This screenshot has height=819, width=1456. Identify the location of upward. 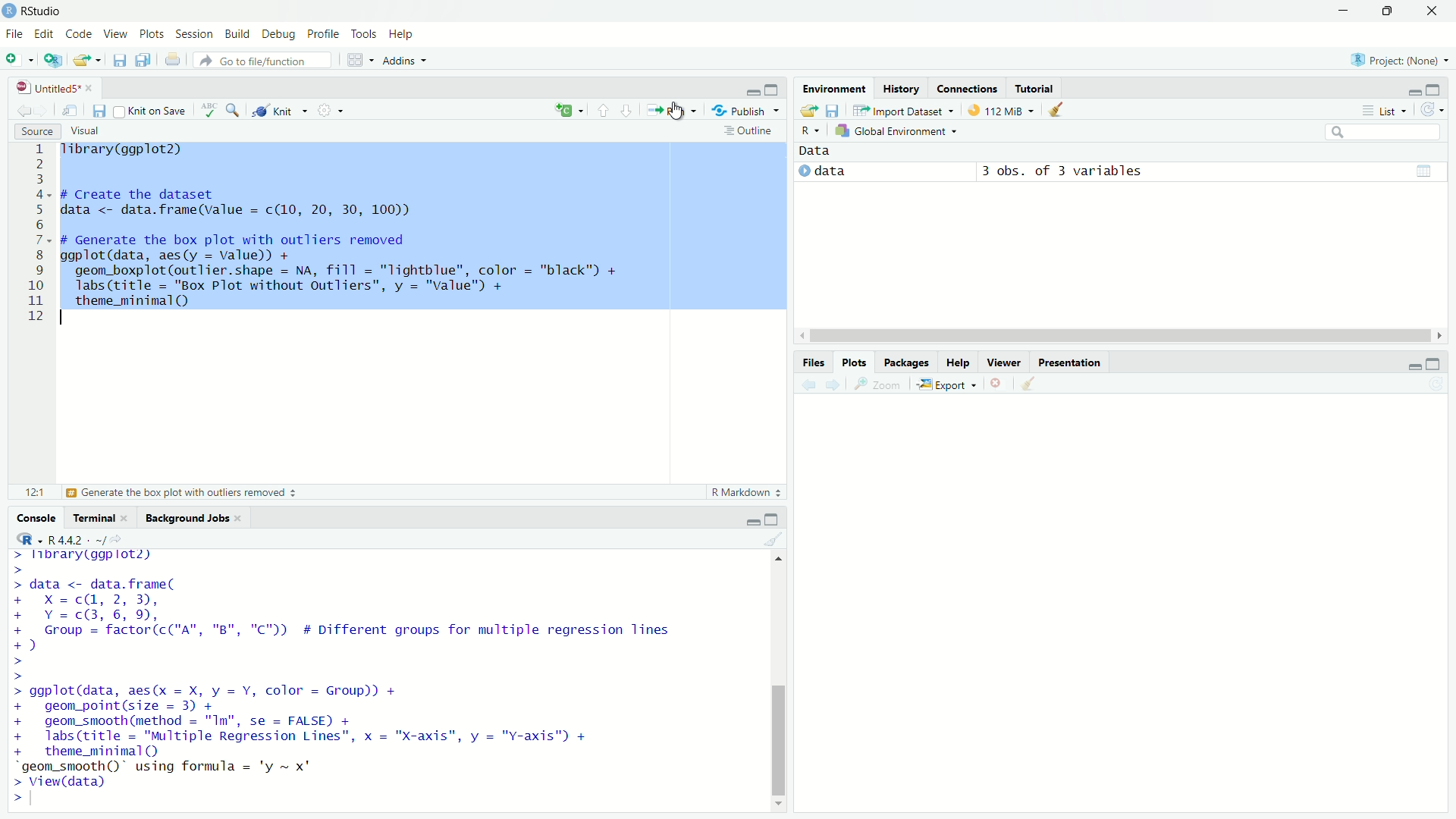
(602, 109).